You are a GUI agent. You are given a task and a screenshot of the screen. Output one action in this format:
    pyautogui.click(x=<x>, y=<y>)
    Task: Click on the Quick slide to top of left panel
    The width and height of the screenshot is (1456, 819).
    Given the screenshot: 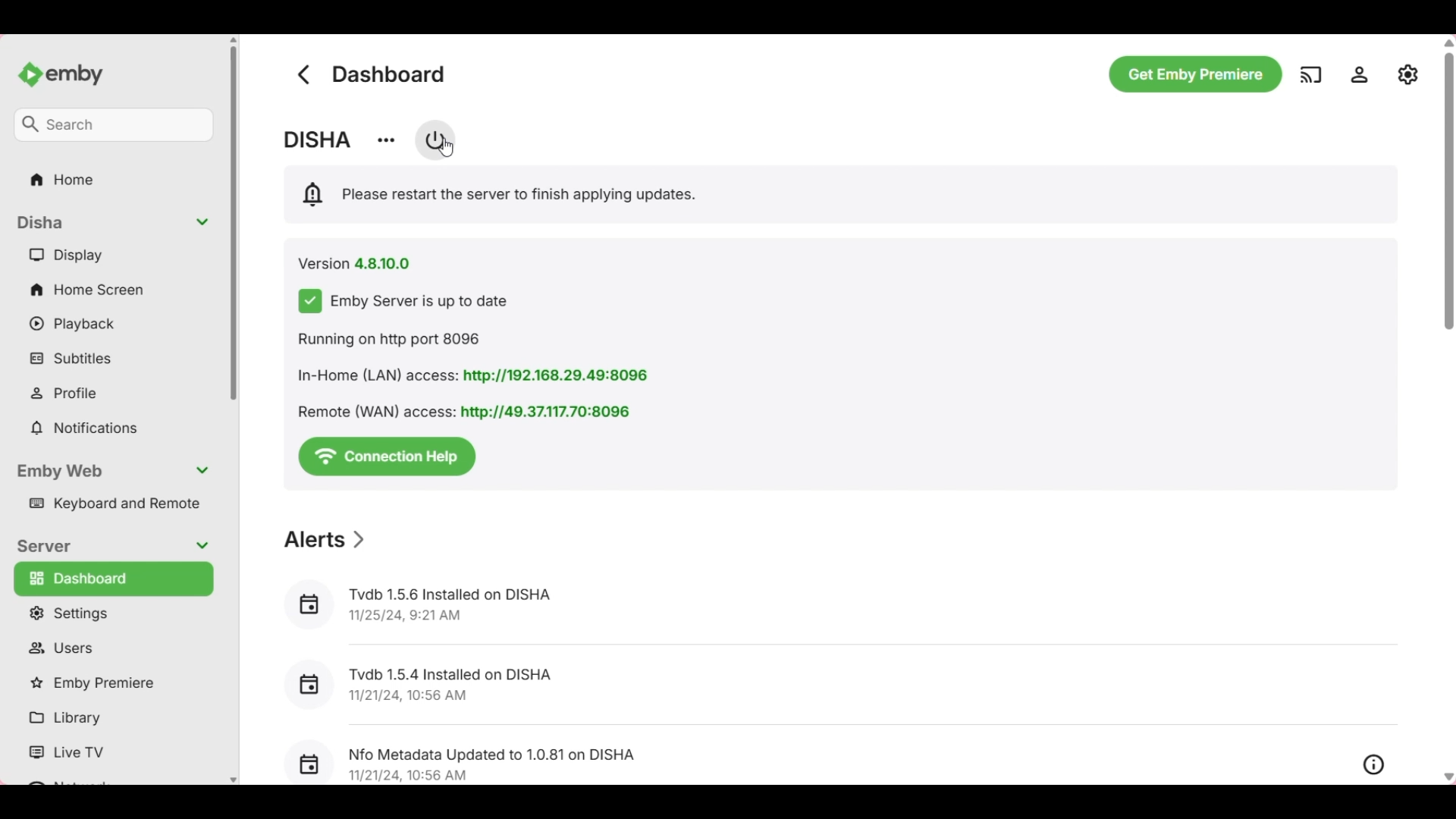 What is the action you would take?
    pyautogui.click(x=233, y=39)
    